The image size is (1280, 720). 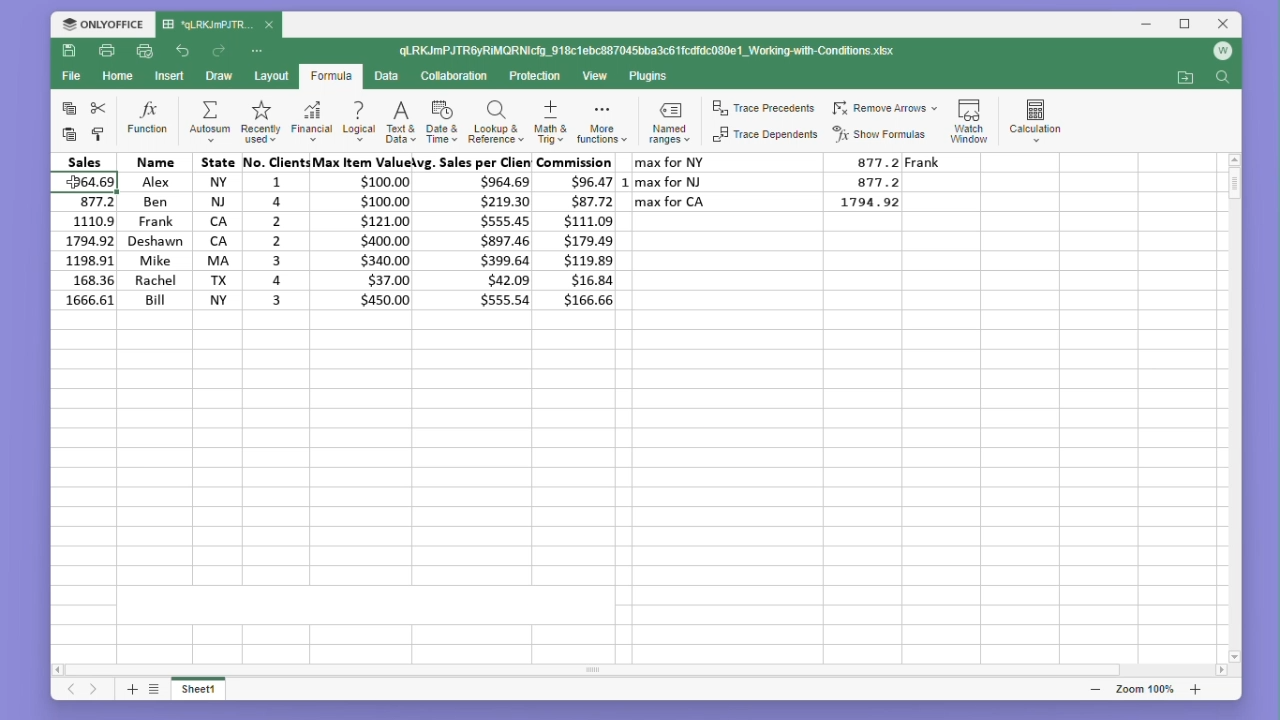 What do you see at coordinates (579, 231) in the screenshot?
I see `commission` at bounding box center [579, 231].